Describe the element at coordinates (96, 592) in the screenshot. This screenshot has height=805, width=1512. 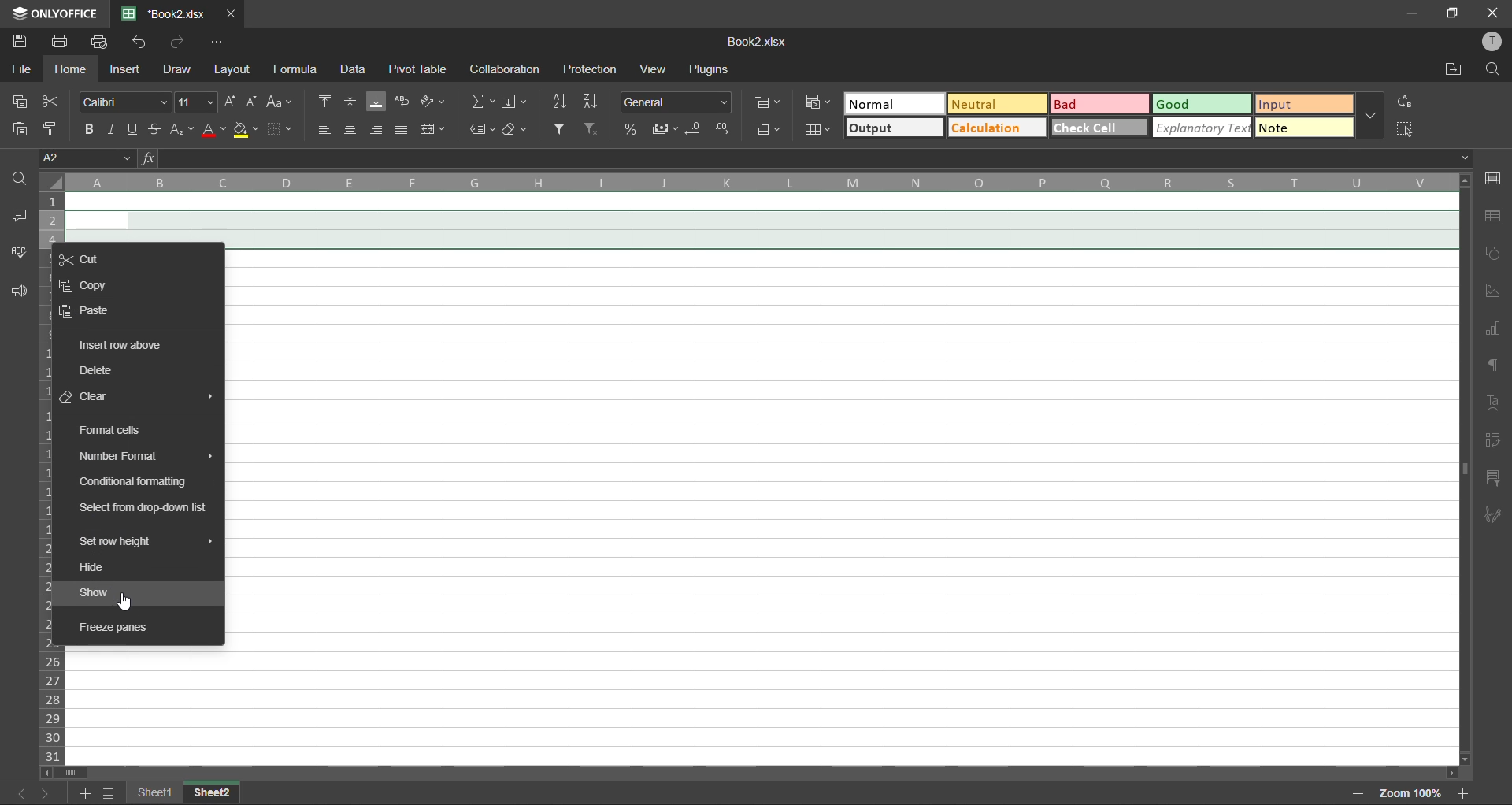
I see `show` at that location.